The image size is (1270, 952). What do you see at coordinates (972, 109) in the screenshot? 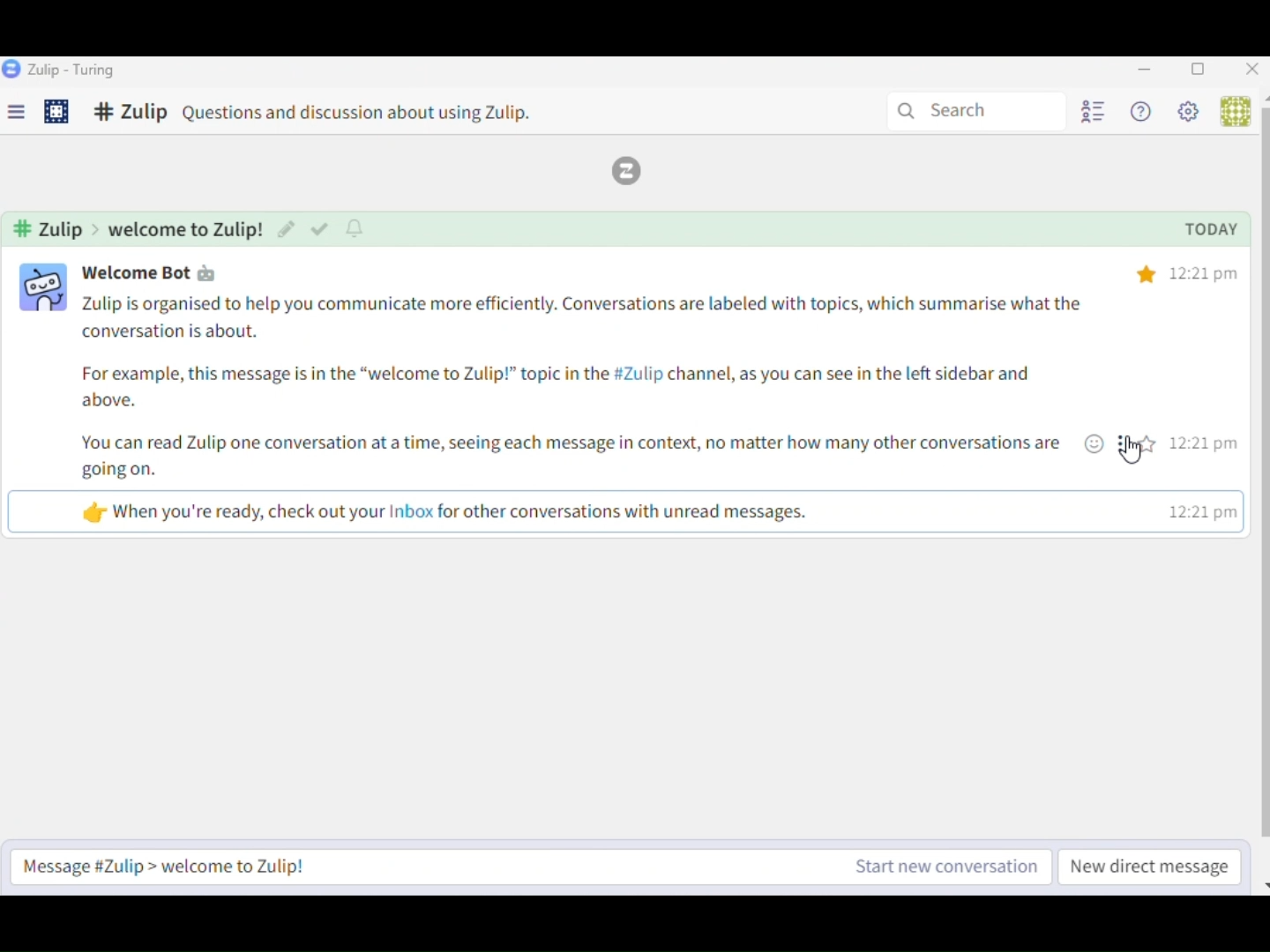
I see `Search` at bounding box center [972, 109].